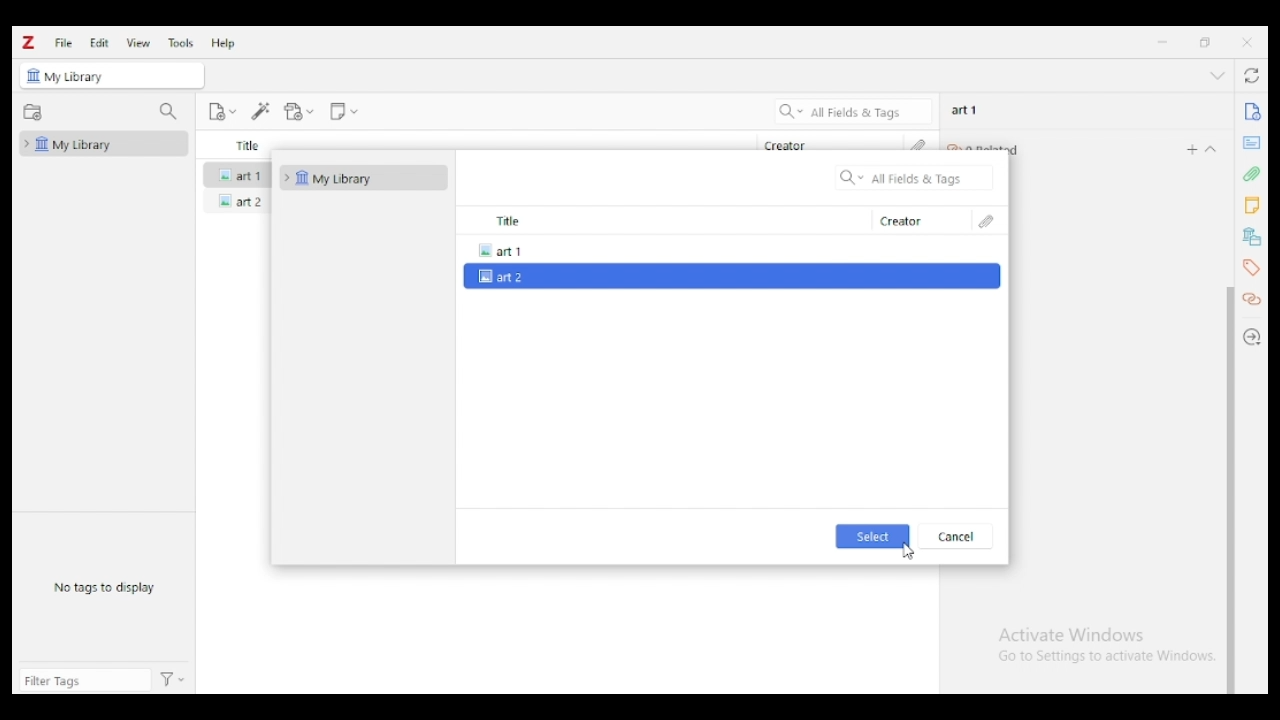 This screenshot has height=720, width=1280. What do you see at coordinates (854, 111) in the screenshot?
I see `search all fields & tags` at bounding box center [854, 111].